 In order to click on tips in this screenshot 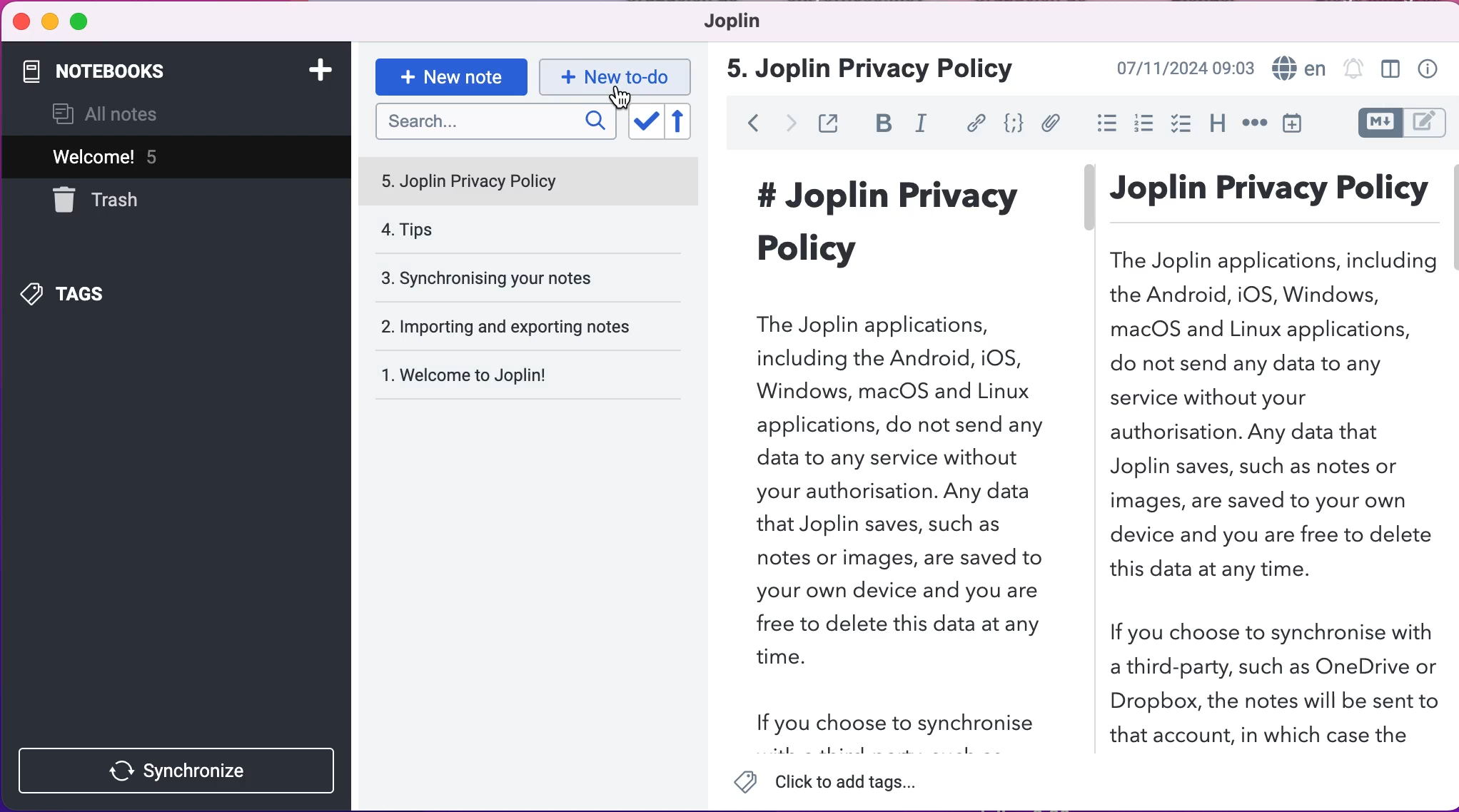, I will do `click(527, 231)`.